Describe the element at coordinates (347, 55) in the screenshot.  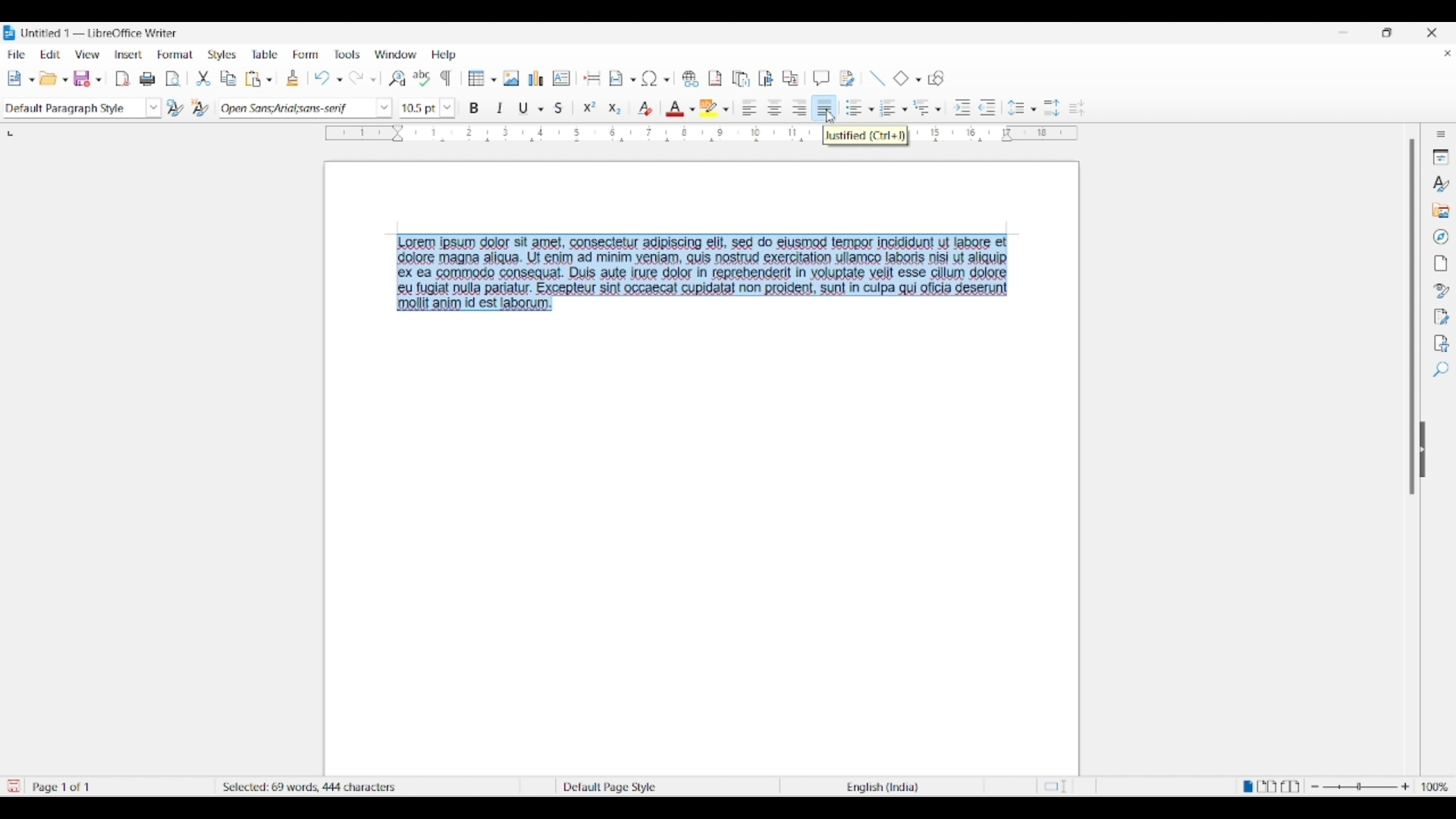
I see `Tools` at that location.